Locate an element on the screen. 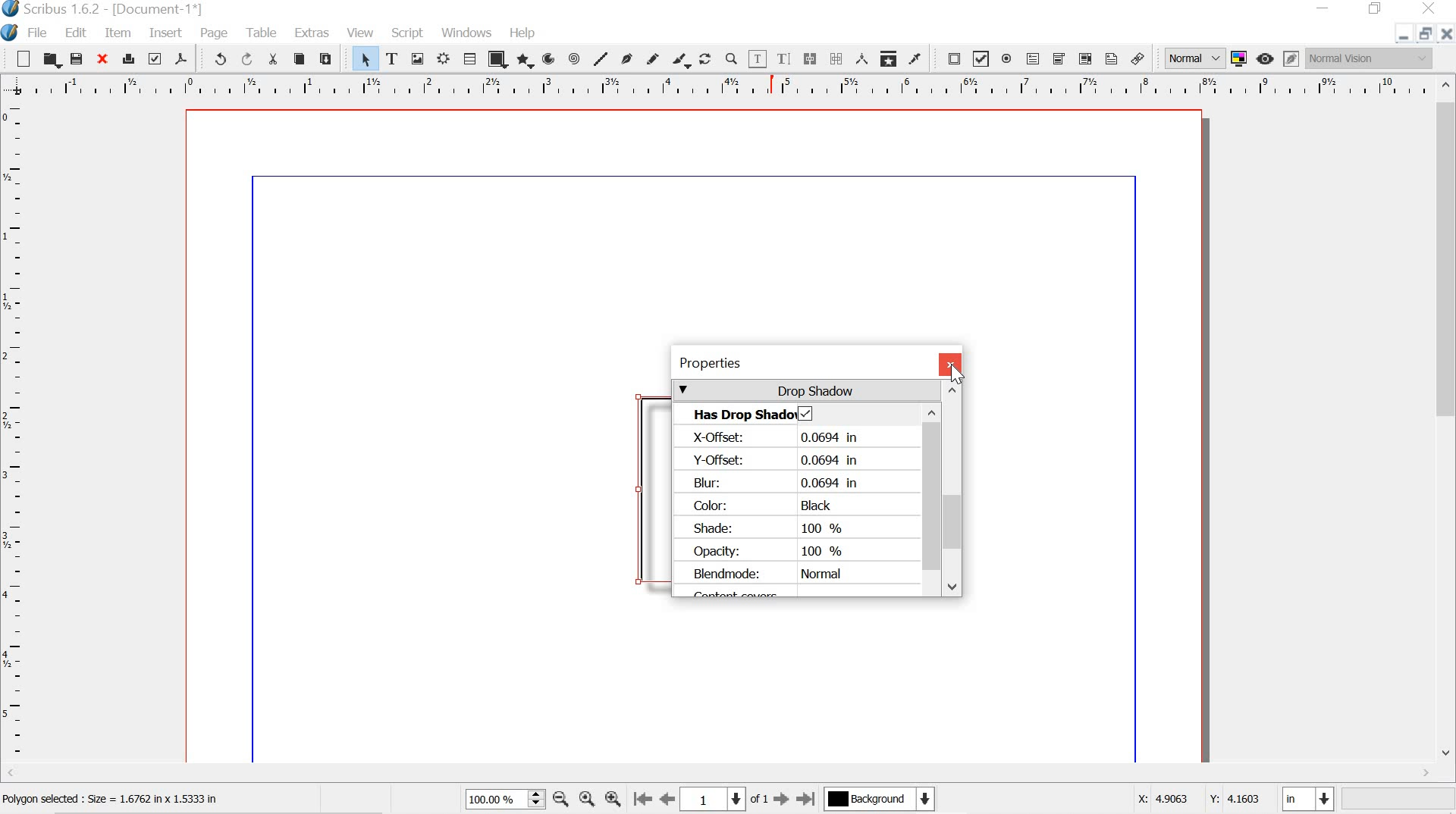 The image size is (1456, 814). zoom in or out is located at coordinates (731, 58).